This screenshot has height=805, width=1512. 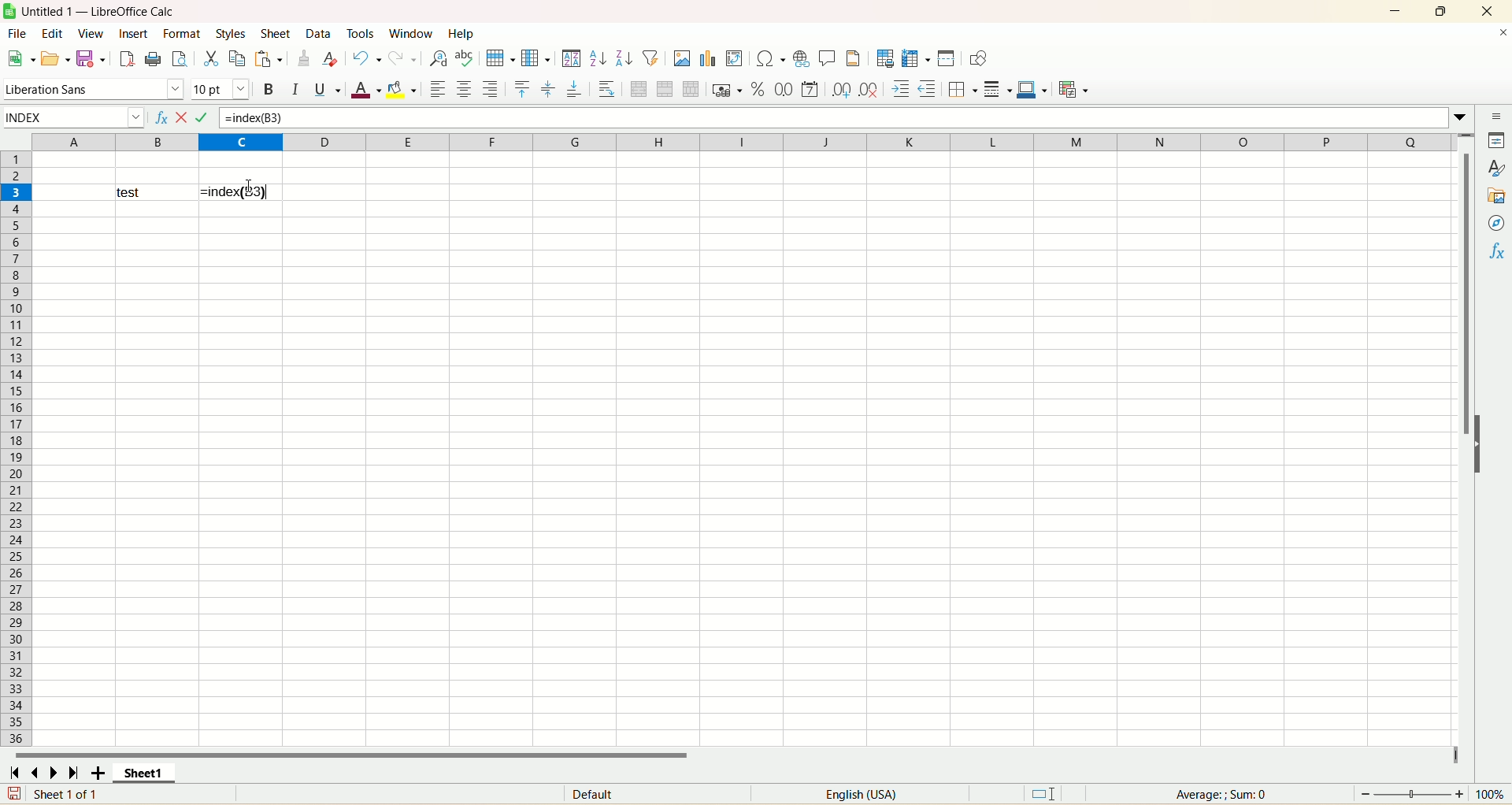 I want to click on styles, so click(x=1495, y=169).